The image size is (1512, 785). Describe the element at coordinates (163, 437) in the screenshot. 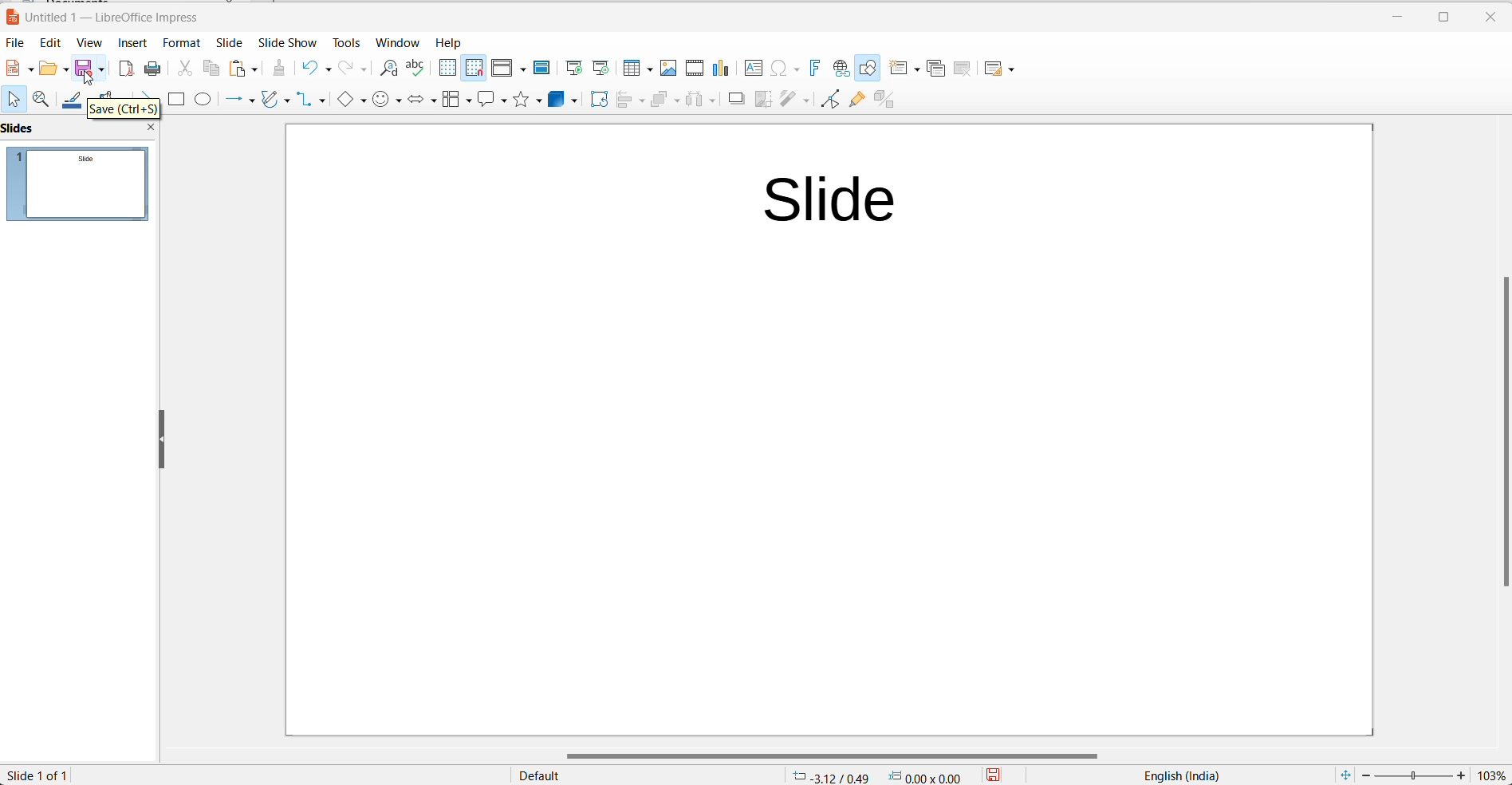

I see `hide left sidebar` at that location.